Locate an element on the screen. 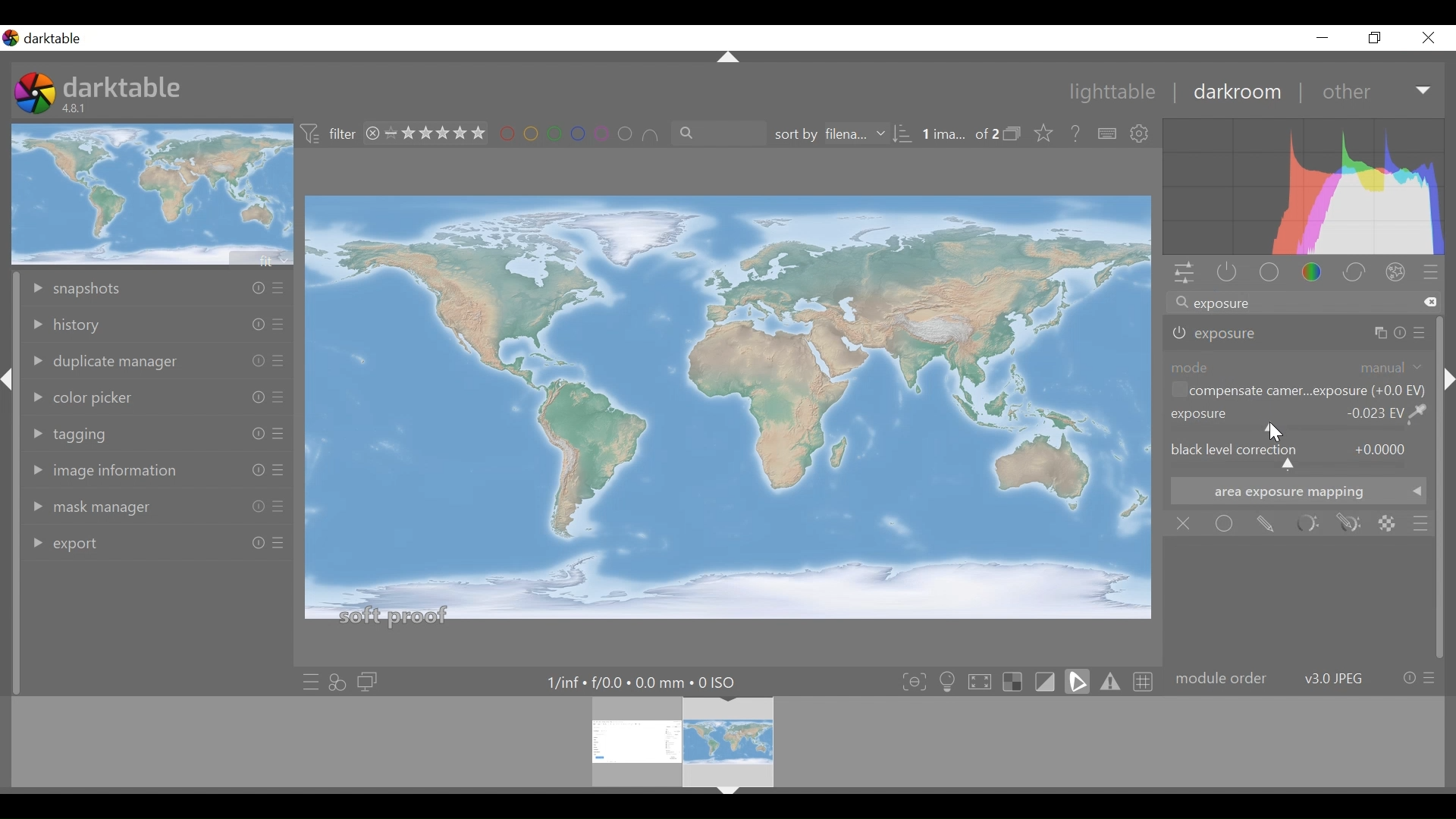 This screenshot has width=1456, height=819.  is located at coordinates (255, 288).